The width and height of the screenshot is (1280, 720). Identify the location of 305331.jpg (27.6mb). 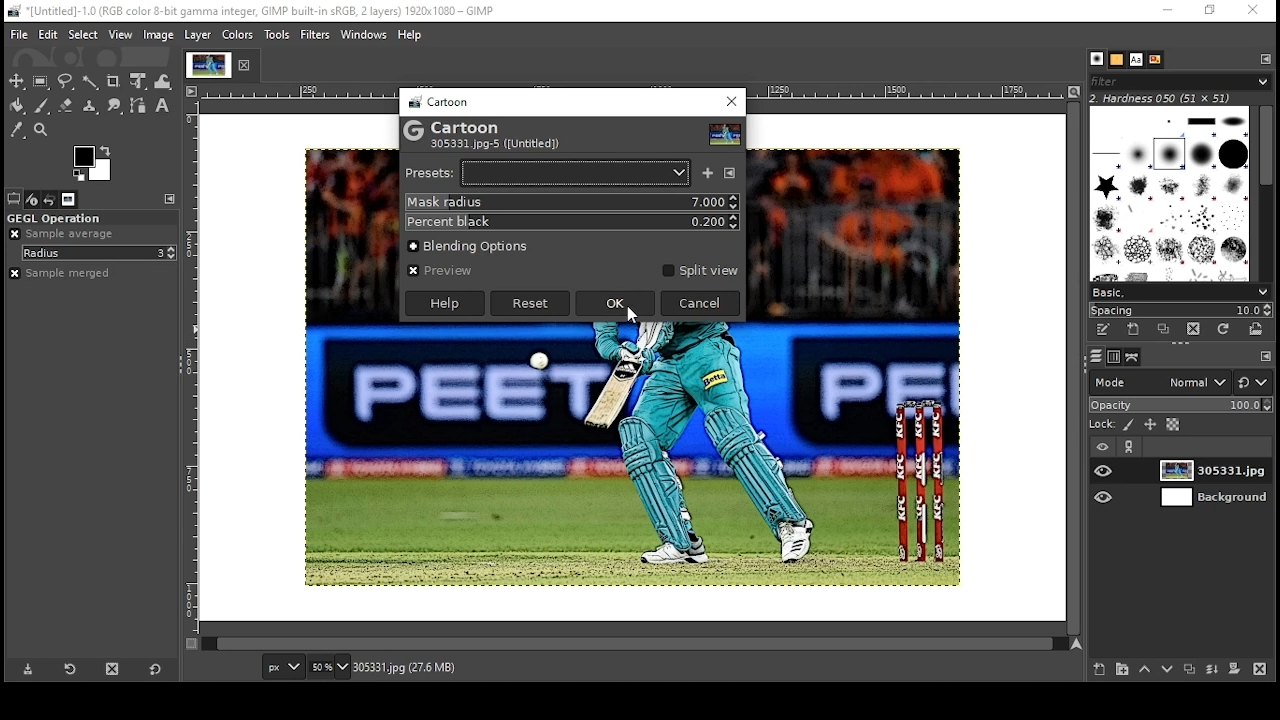
(405, 668).